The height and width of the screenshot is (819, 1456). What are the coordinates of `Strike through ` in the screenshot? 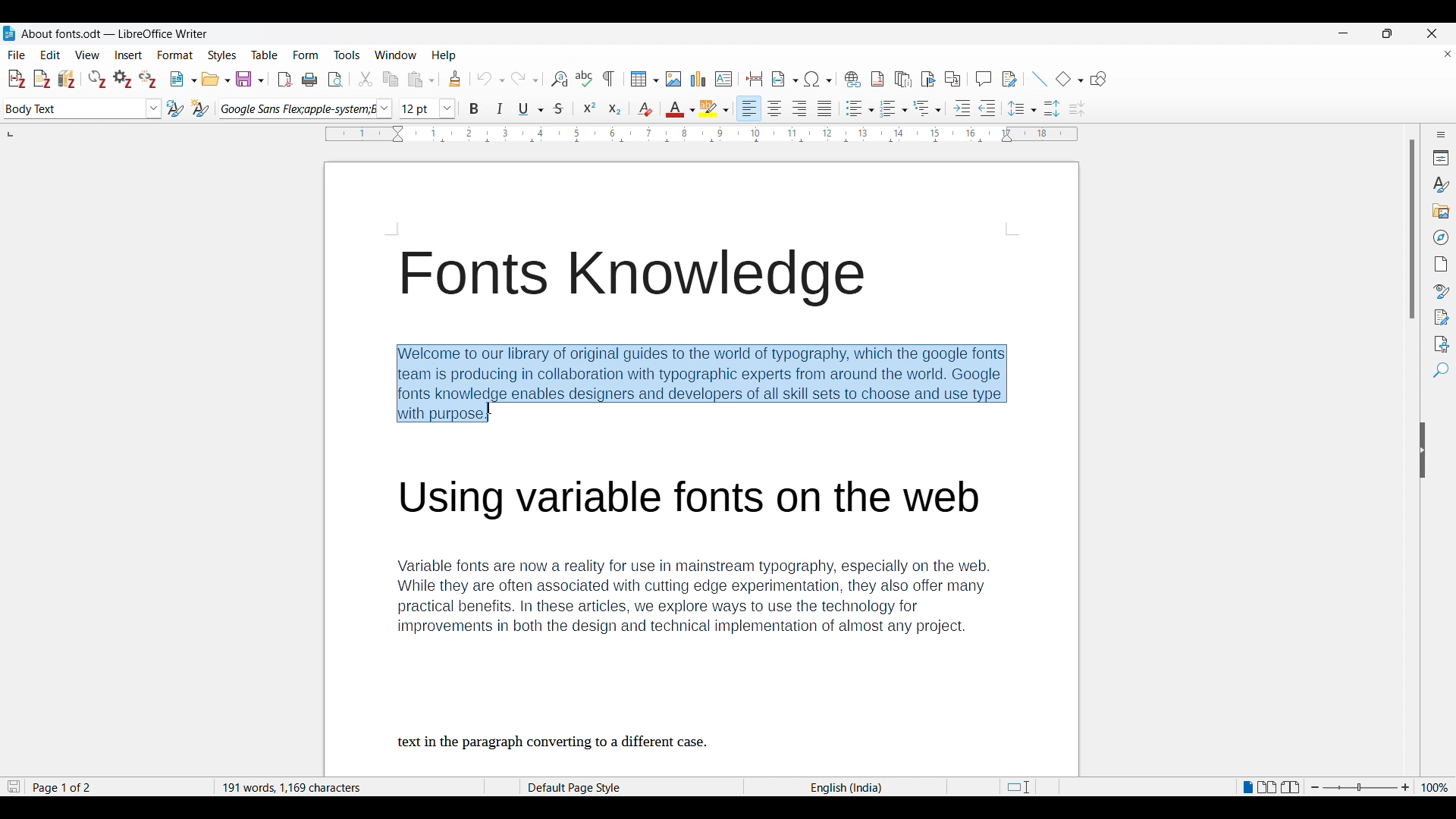 It's located at (559, 108).